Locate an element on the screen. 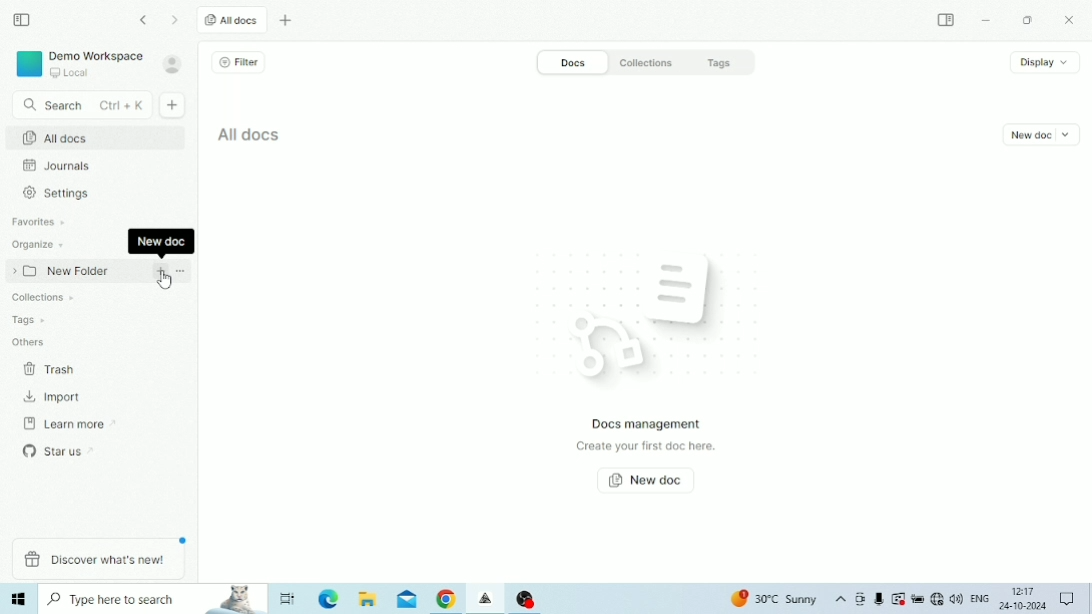 The image size is (1092, 614). Language is located at coordinates (979, 597).